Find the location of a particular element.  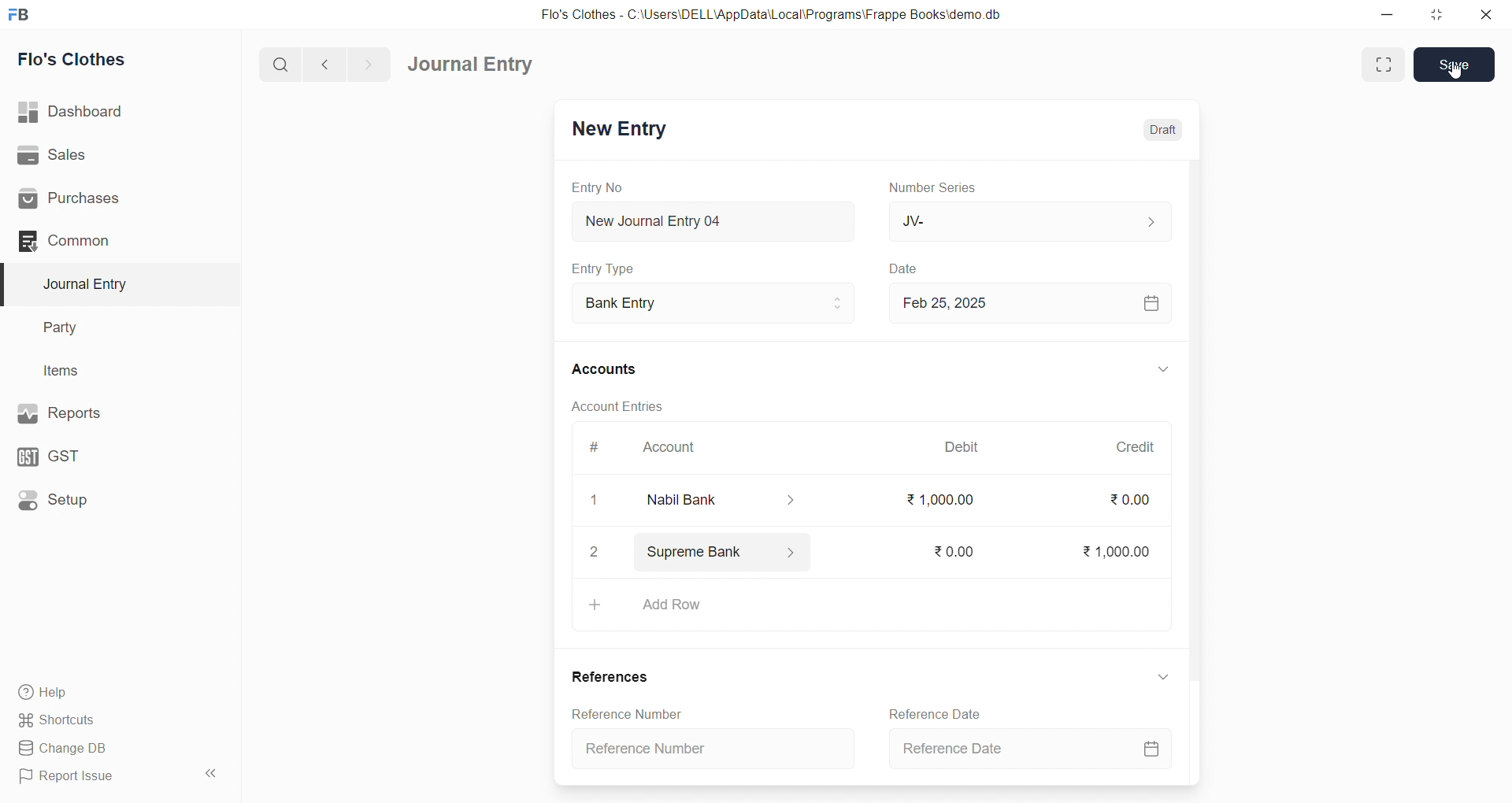

Scroll bar is located at coordinates (1191, 472).